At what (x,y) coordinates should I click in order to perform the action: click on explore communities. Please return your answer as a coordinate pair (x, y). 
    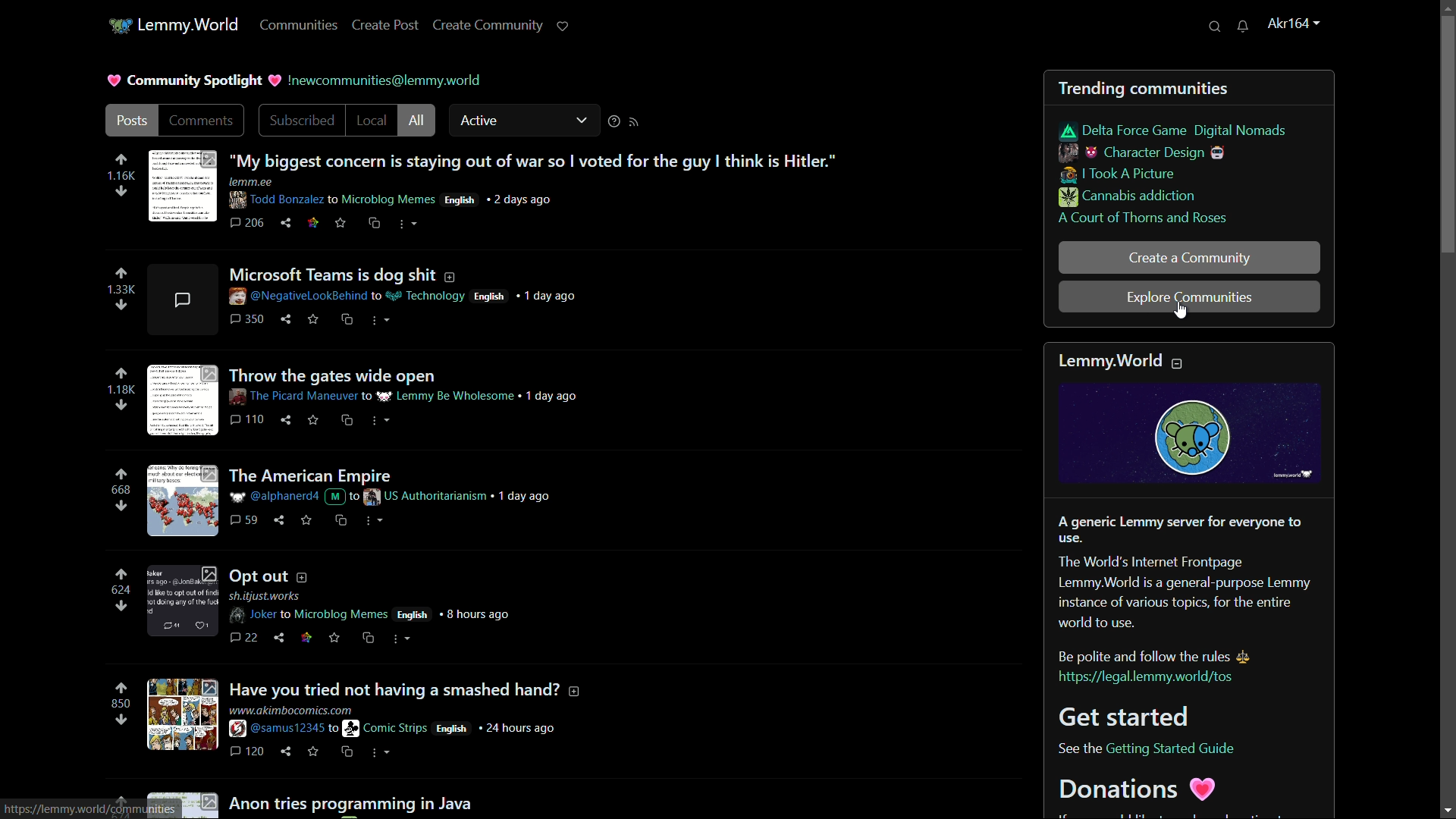
    Looking at the image, I should click on (1187, 298).